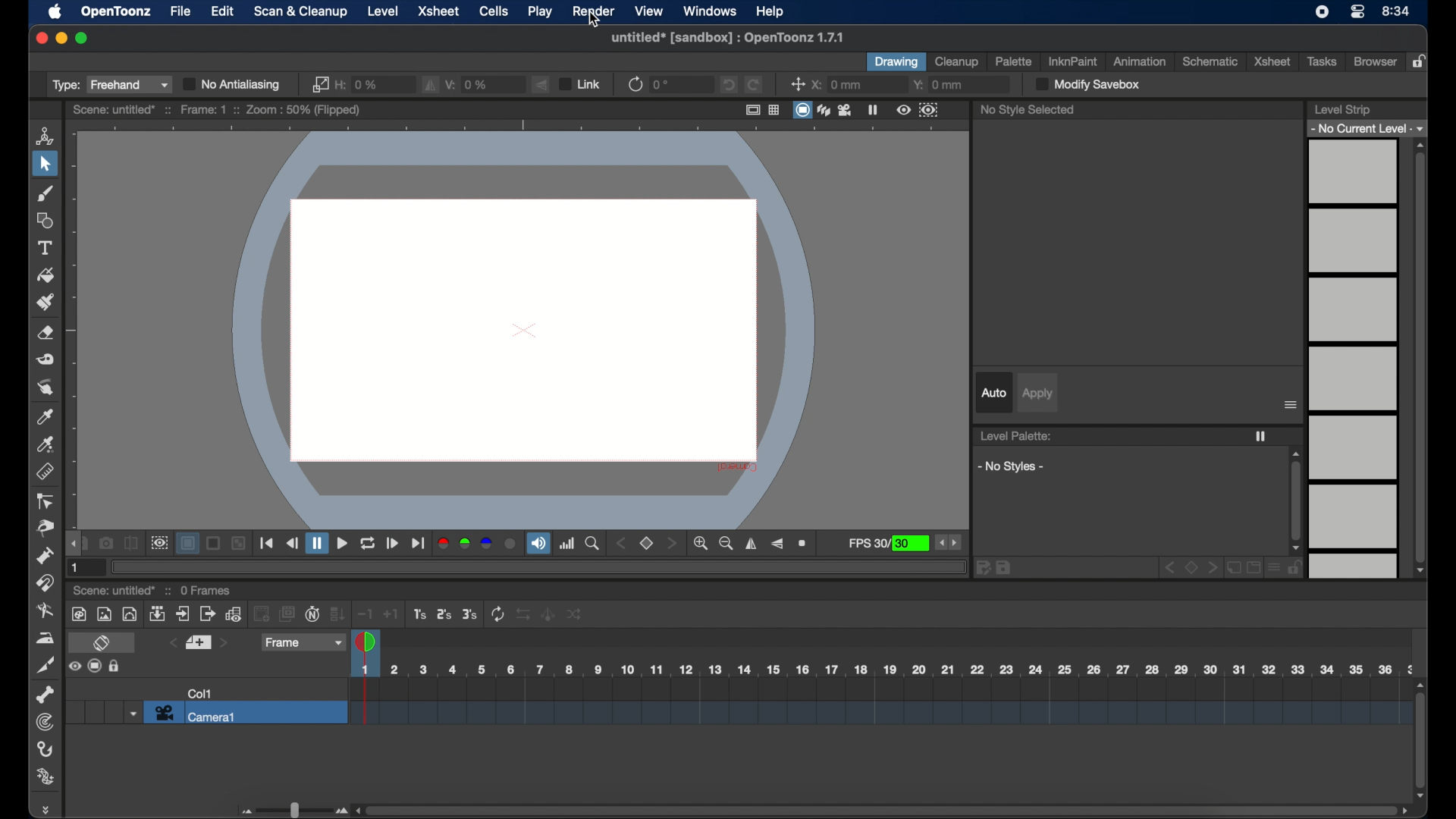 Image resolution: width=1456 pixels, height=819 pixels. What do you see at coordinates (46, 749) in the screenshot?
I see `hook tool` at bounding box center [46, 749].